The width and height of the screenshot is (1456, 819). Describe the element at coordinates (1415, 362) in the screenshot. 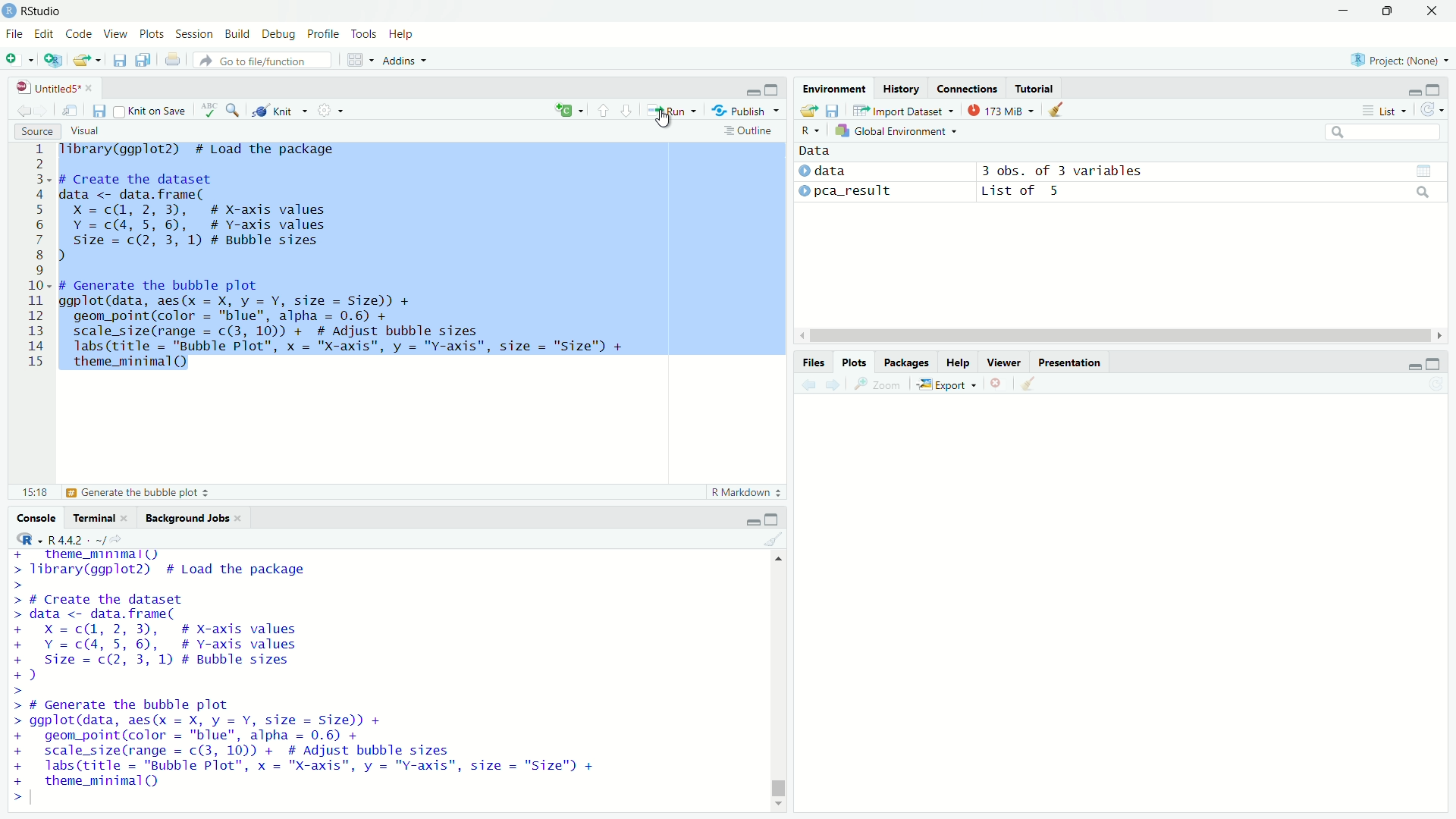

I see `minimize` at that location.